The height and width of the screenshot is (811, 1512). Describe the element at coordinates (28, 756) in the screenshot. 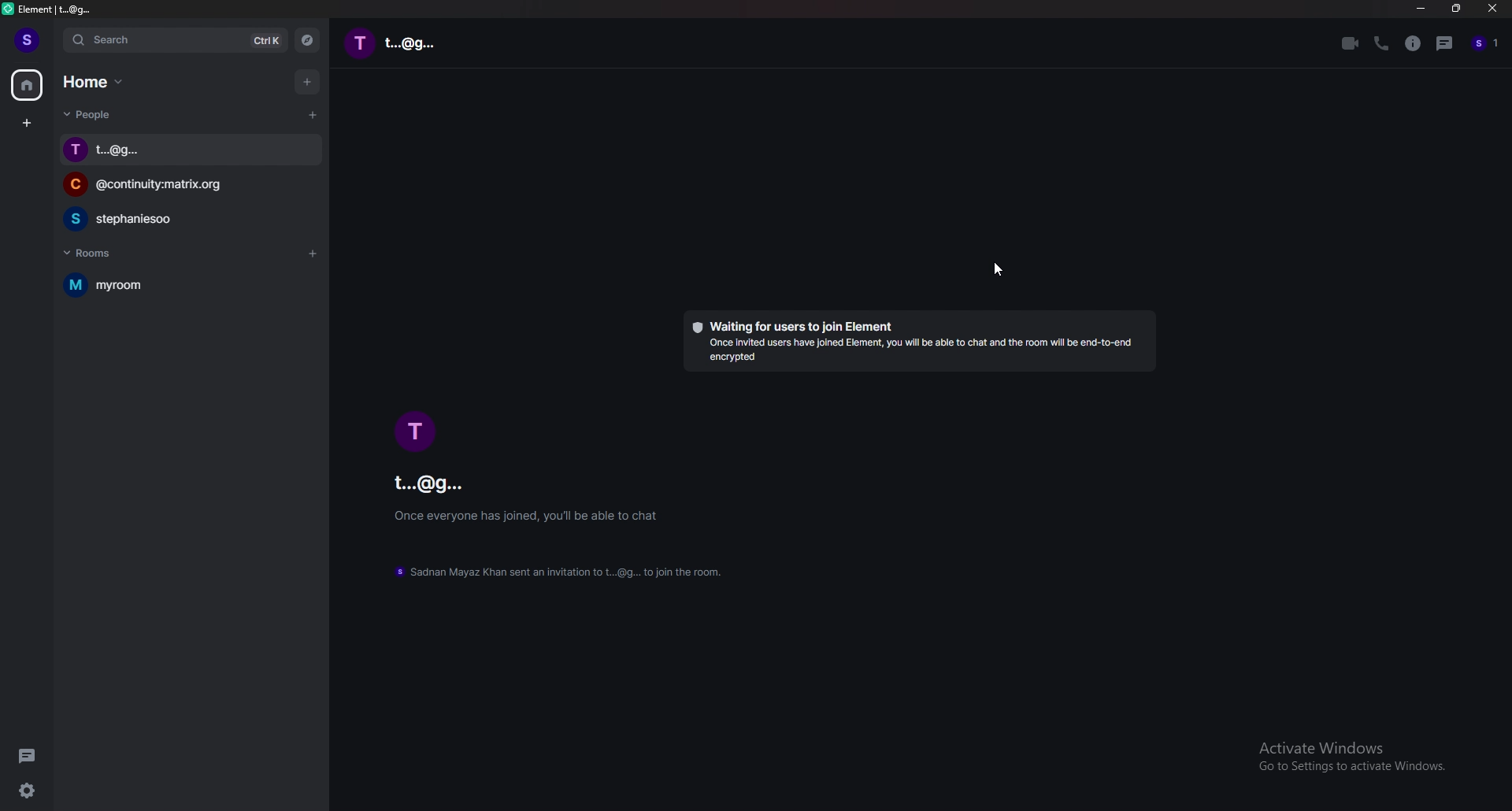

I see `threads` at that location.